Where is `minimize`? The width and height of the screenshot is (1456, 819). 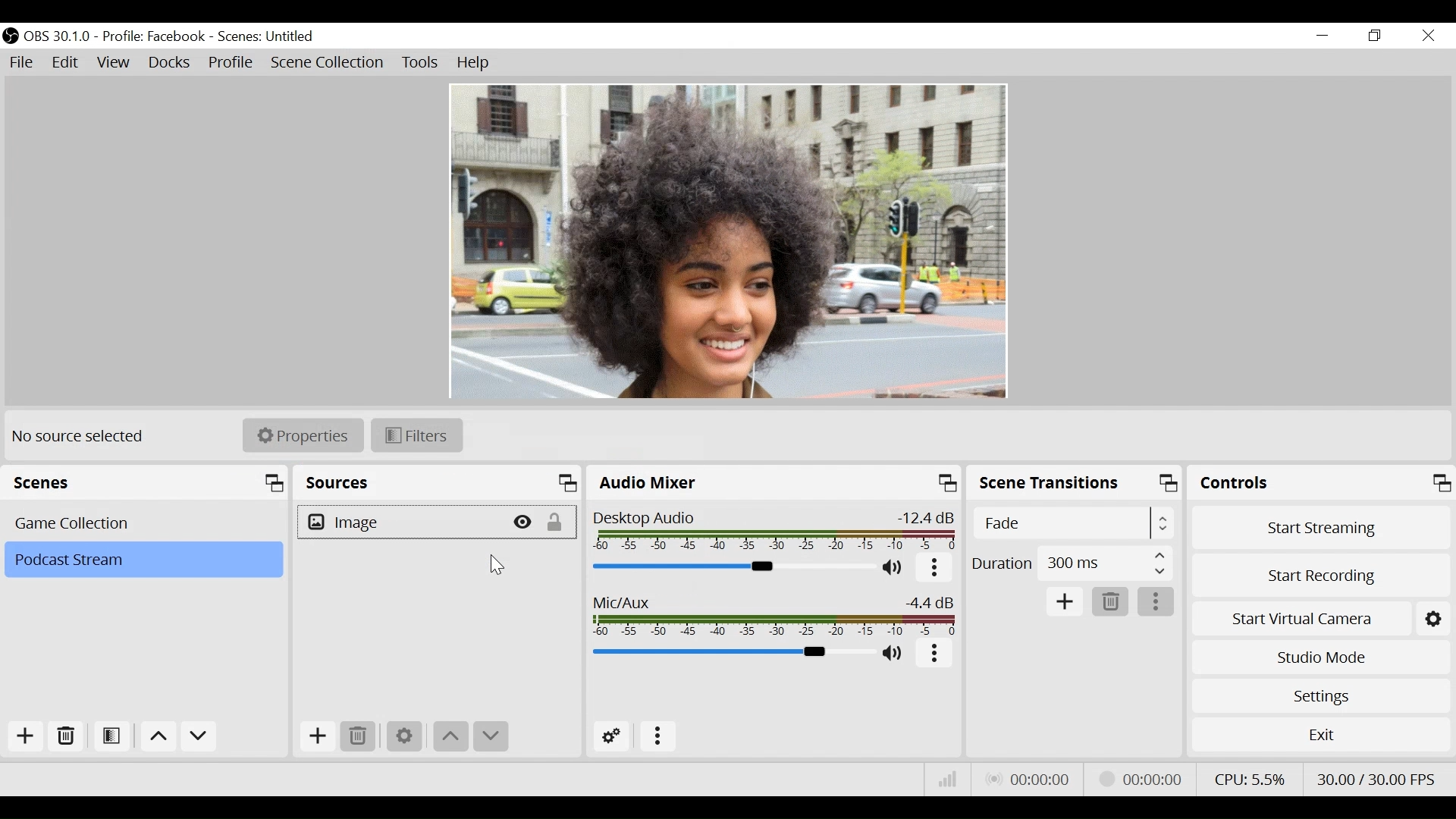 minimize is located at coordinates (1323, 37).